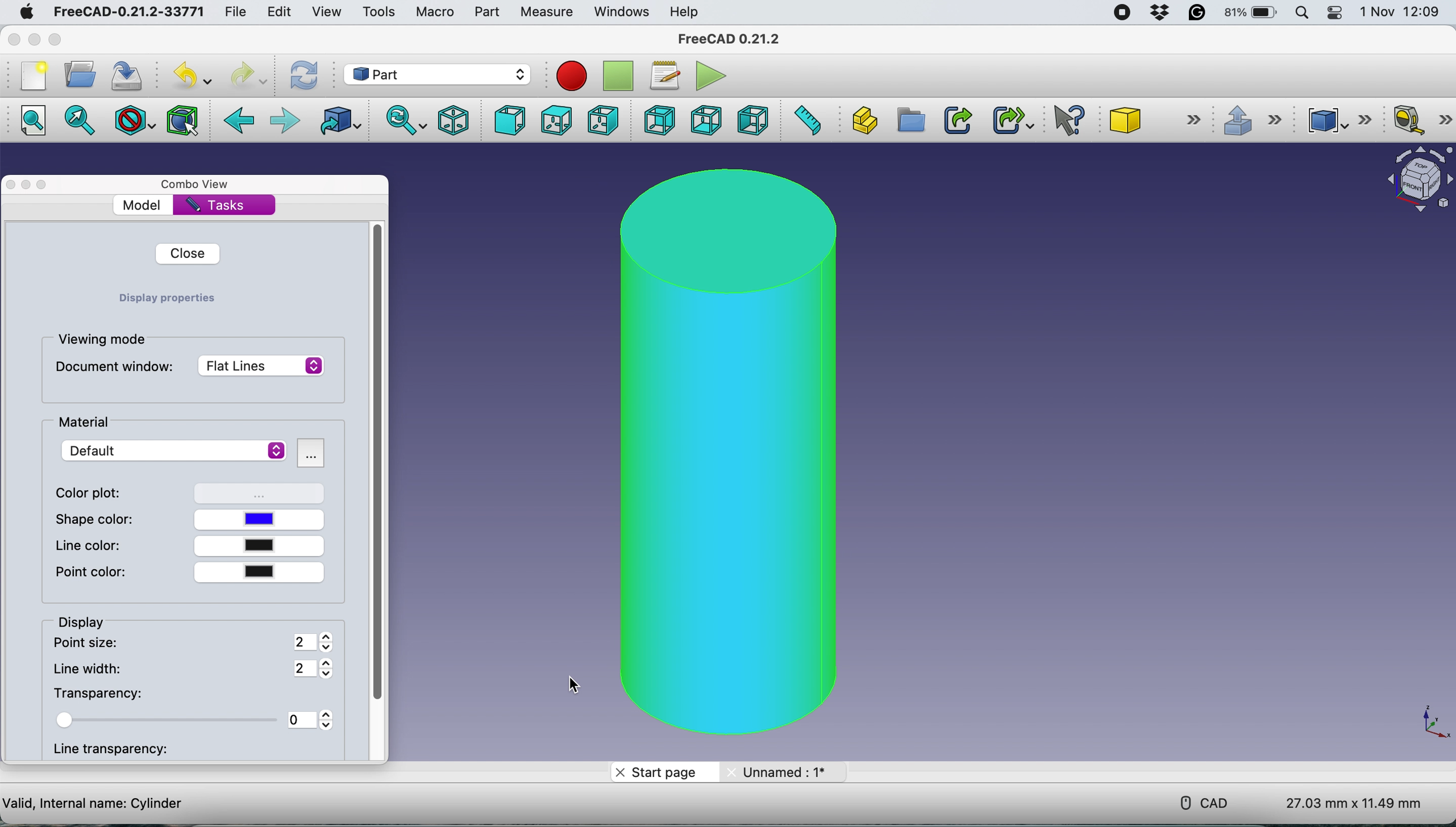 The image size is (1456, 827). Describe the element at coordinates (192, 492) in the screenshot. I see `color plot` at that location.